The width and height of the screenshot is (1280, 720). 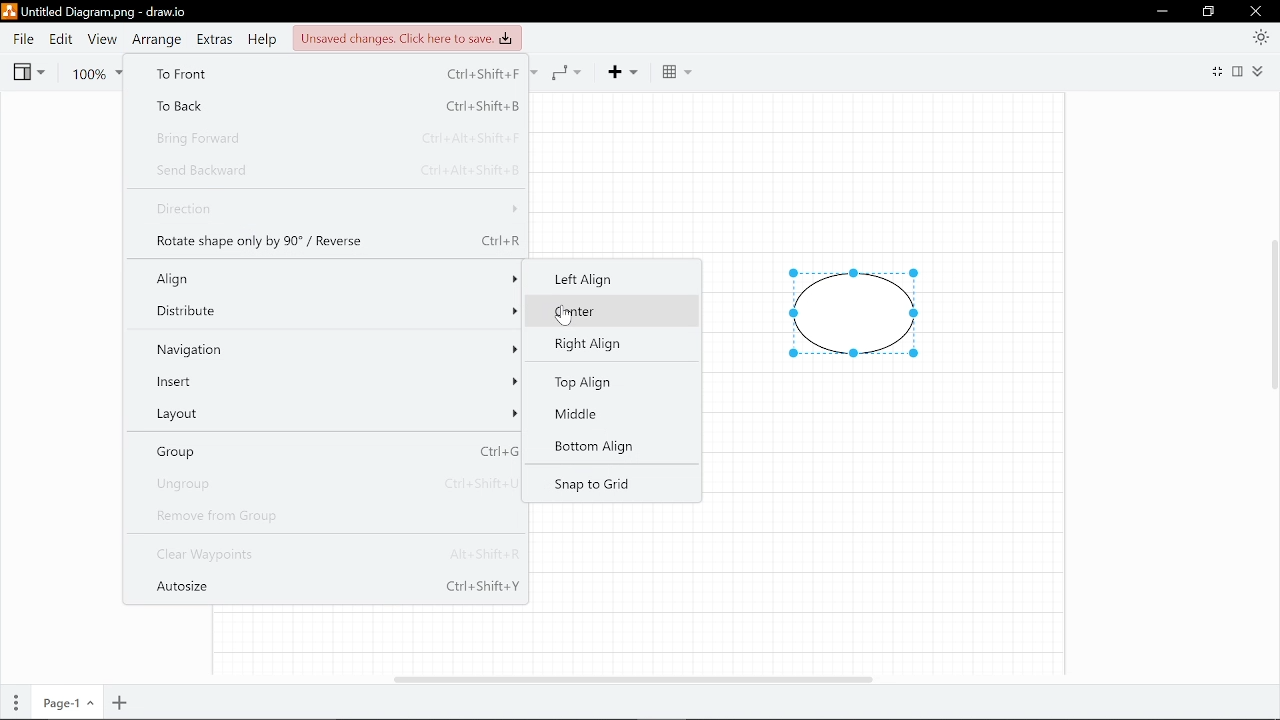 I want to click on Extras, so click(x=214, y=39).